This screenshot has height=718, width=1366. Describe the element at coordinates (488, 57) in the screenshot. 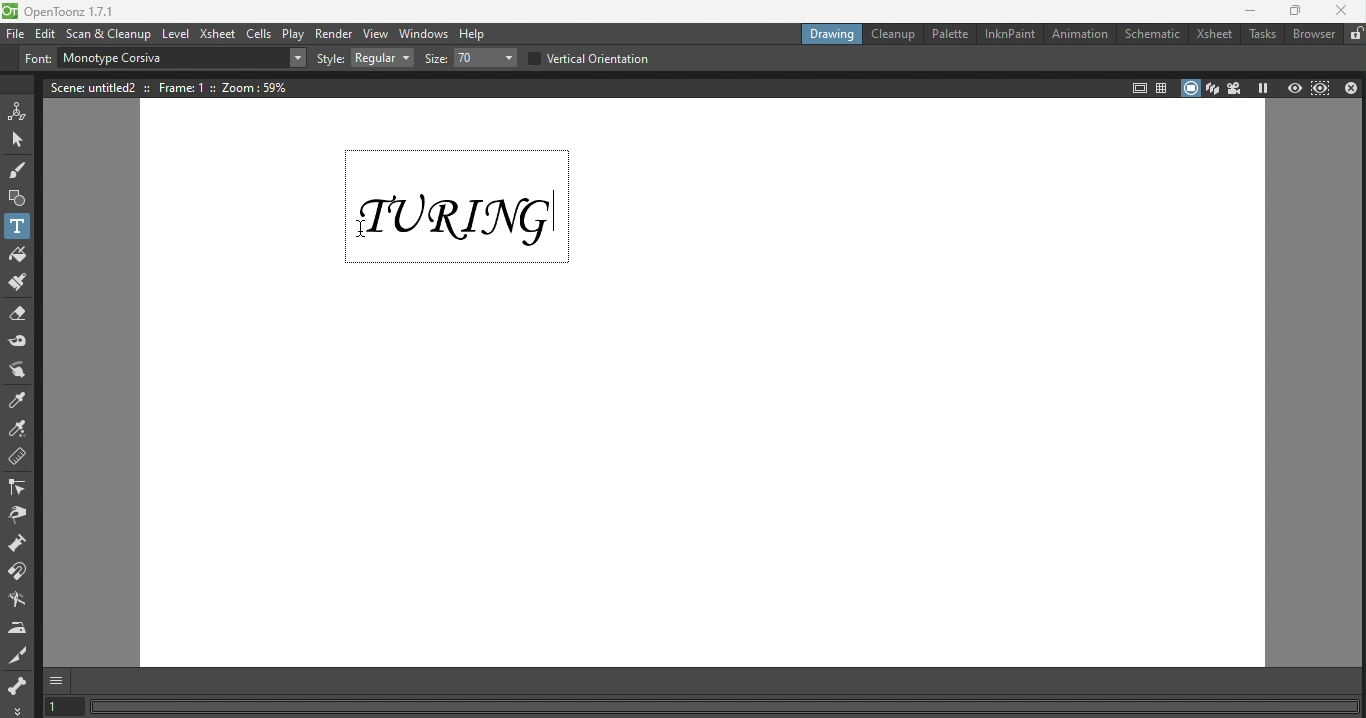

I see `Drop down` at that location.